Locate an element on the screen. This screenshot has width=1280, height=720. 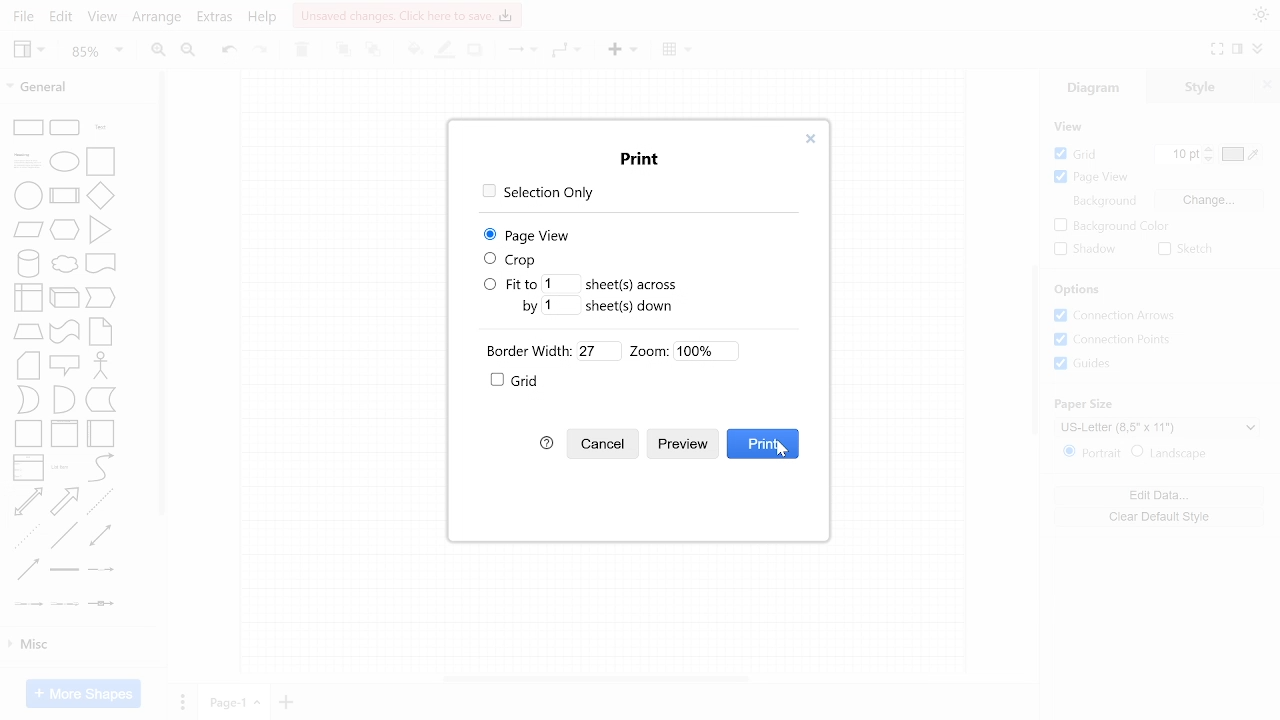
Input fit to sheet(s) across value is located at coordinates (561, 284).